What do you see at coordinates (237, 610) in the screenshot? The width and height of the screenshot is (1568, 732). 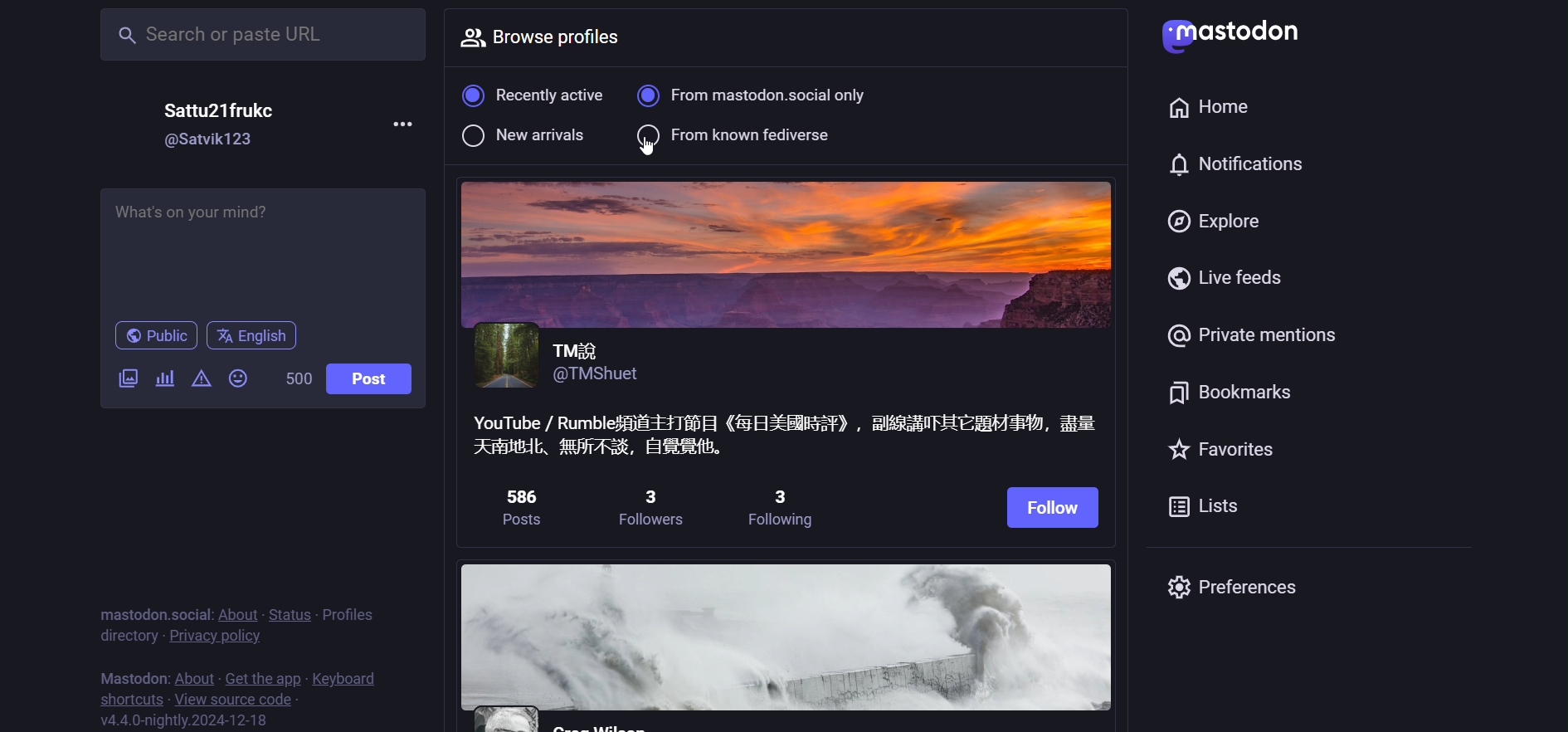 I see `about` at bounding box center [237, 610].